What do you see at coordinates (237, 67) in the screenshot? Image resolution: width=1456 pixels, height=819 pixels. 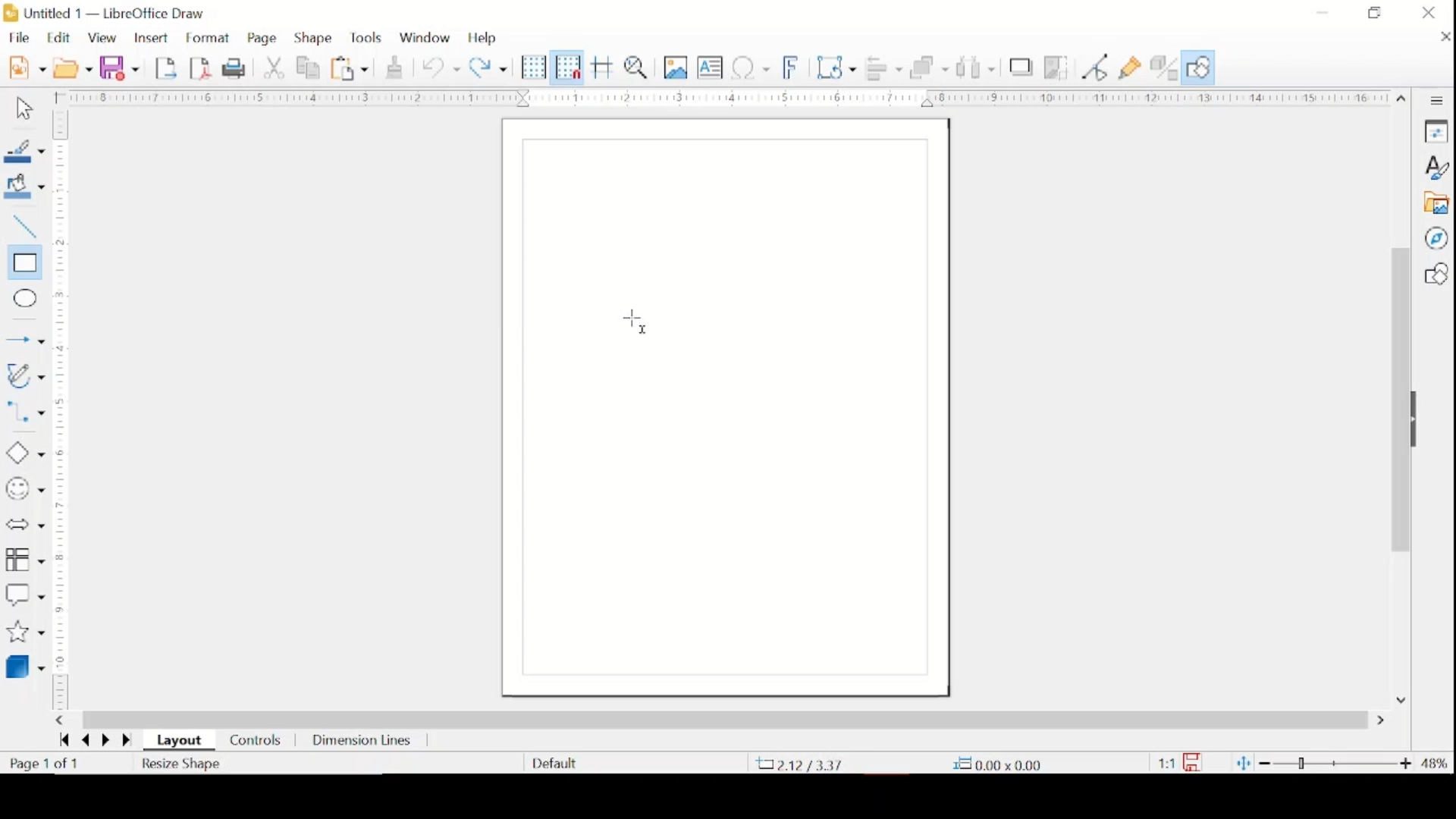 I see `print` at bounding box center [237, 67].